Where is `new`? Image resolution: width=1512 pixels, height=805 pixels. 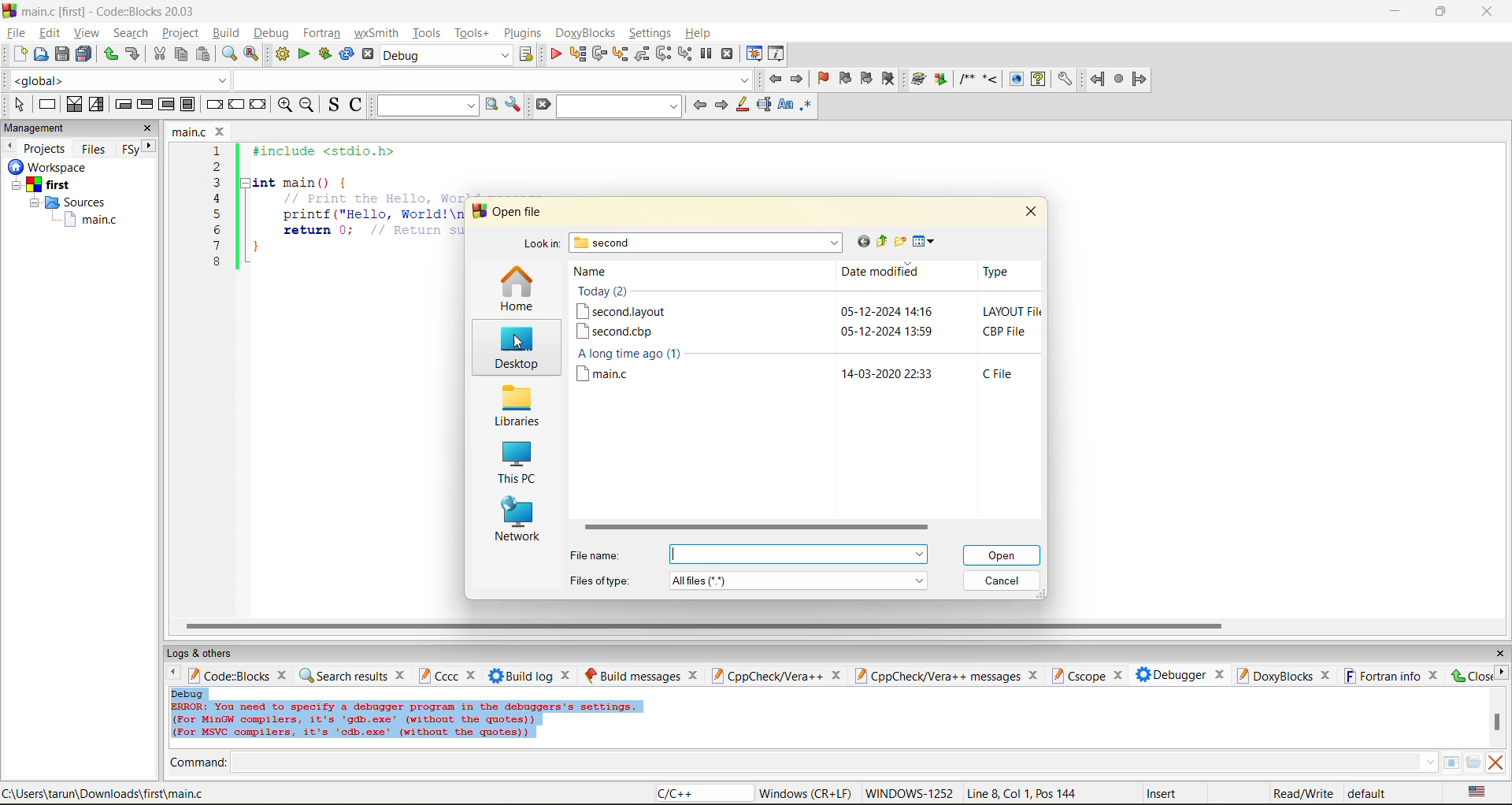 new is located at coordinates (20, 54).